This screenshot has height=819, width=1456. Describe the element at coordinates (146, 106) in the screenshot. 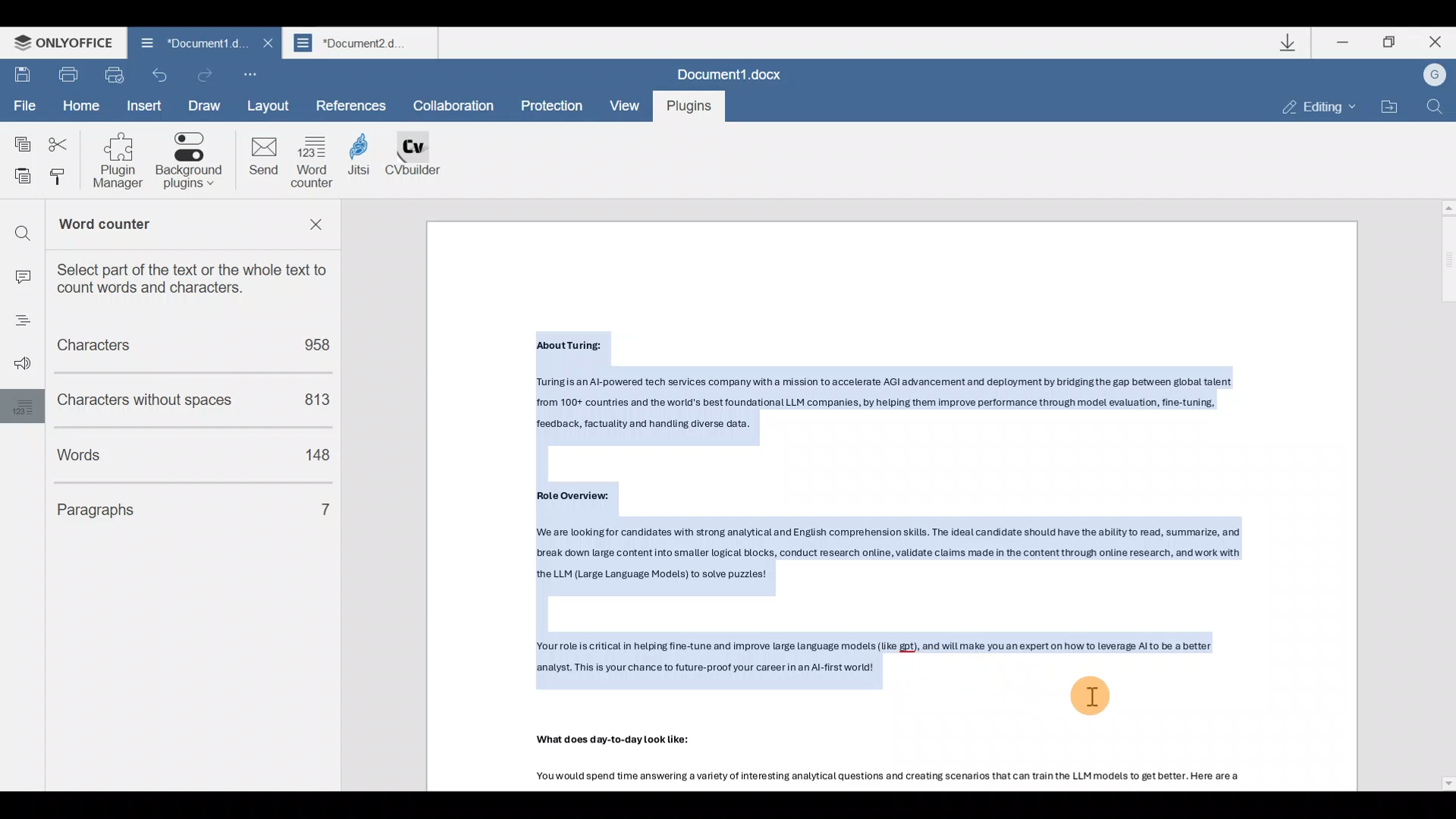

I see `Insert` at that location.